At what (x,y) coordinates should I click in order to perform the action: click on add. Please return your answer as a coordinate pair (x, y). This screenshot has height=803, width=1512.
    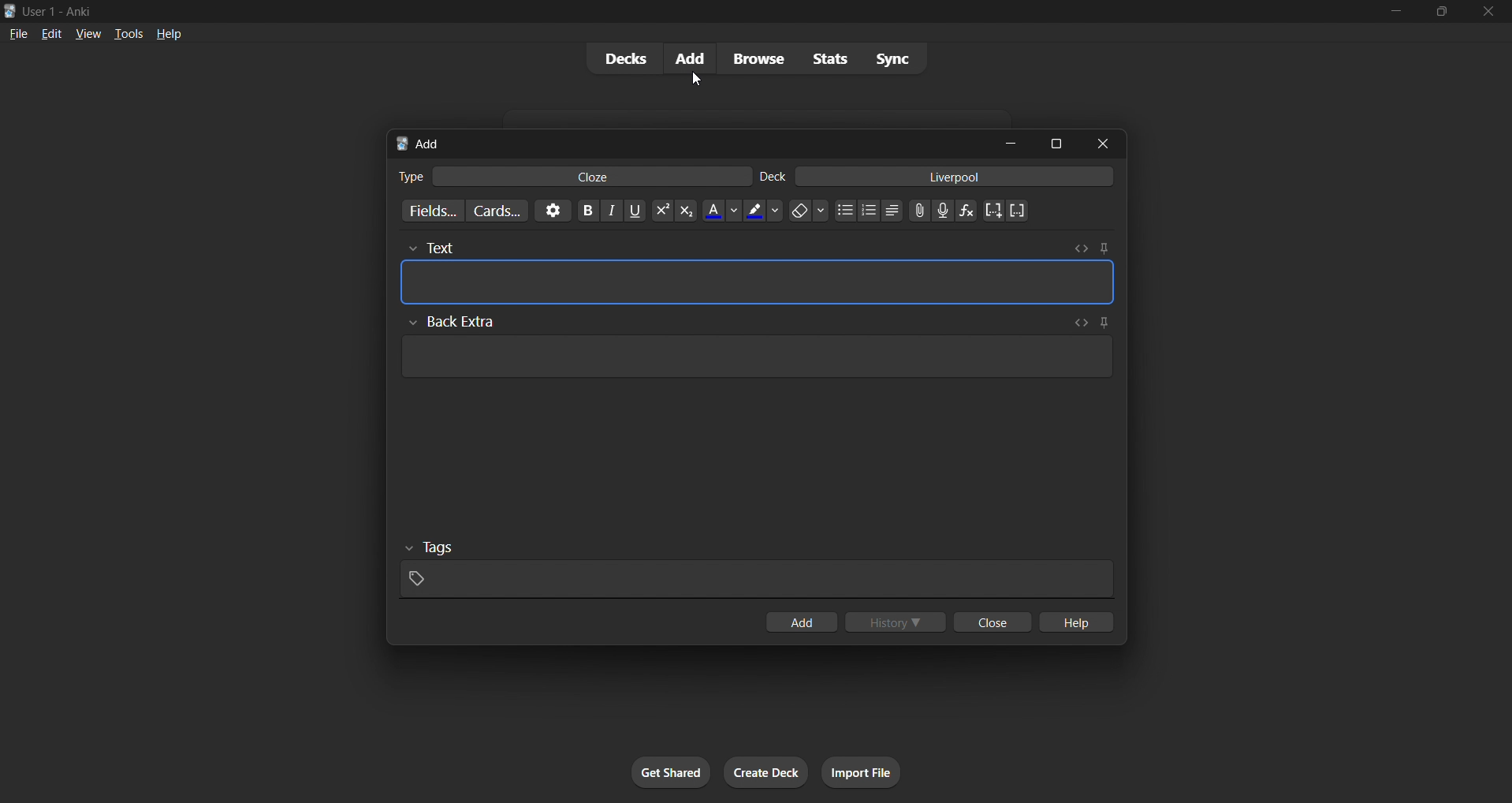
    Looking at the image, I should click on (695, 59).